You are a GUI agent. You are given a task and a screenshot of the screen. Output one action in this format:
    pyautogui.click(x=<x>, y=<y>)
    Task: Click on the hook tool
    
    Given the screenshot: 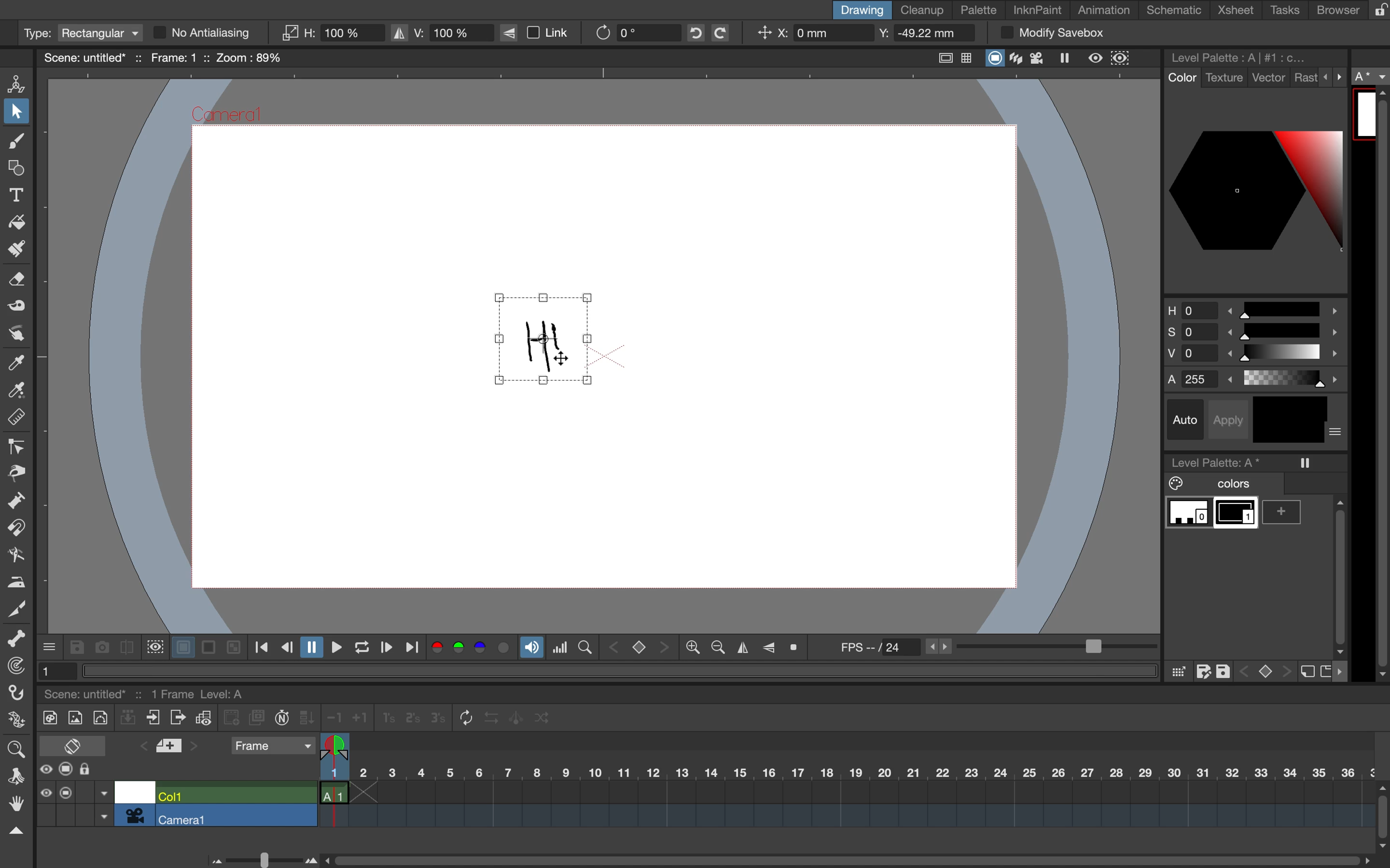 What is the action you would take?
    pyautogui.click(x=18, y=695)
    